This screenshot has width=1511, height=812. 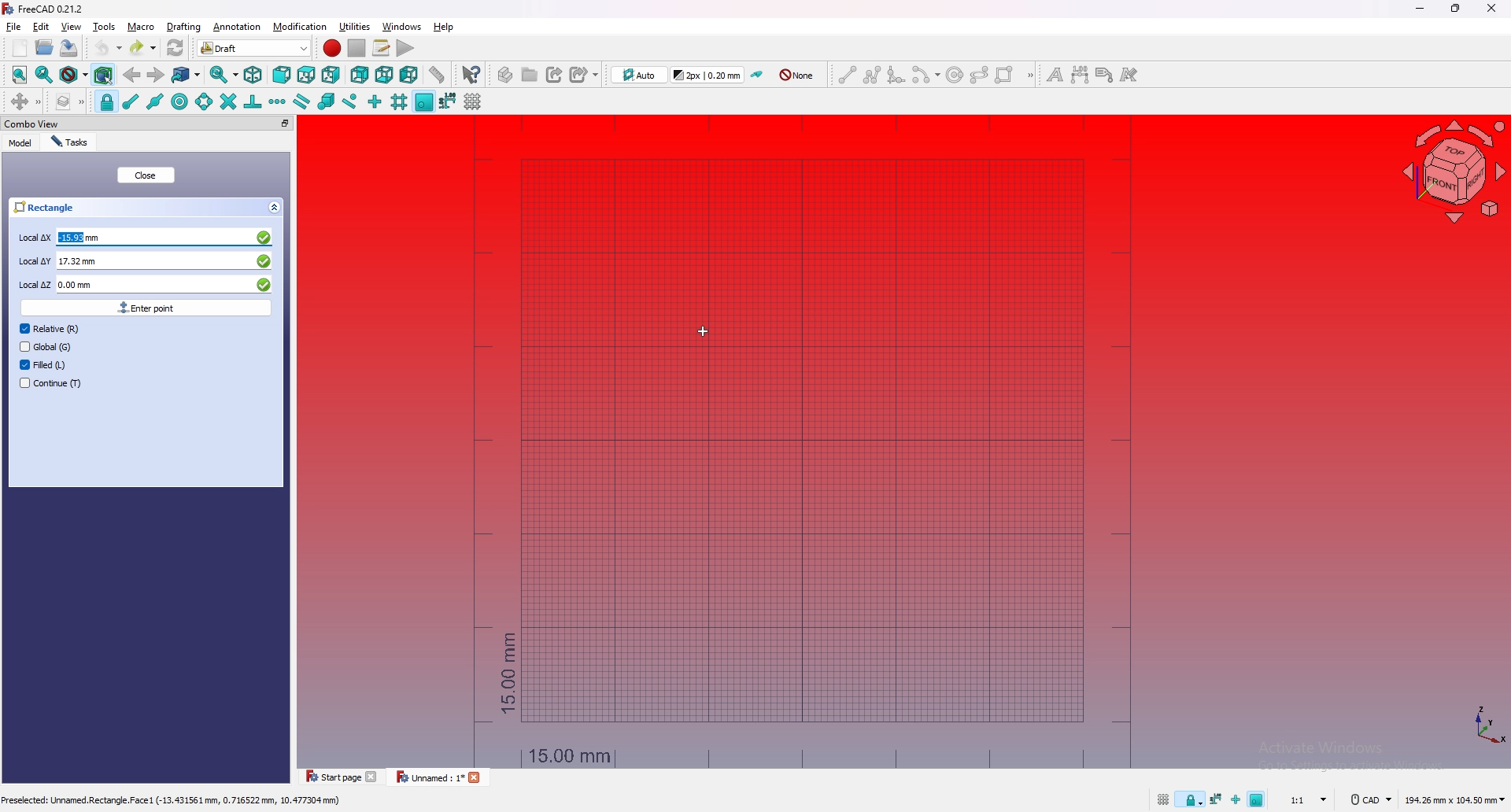 I want to click on navigating cube, so click(x=1448, y=172).